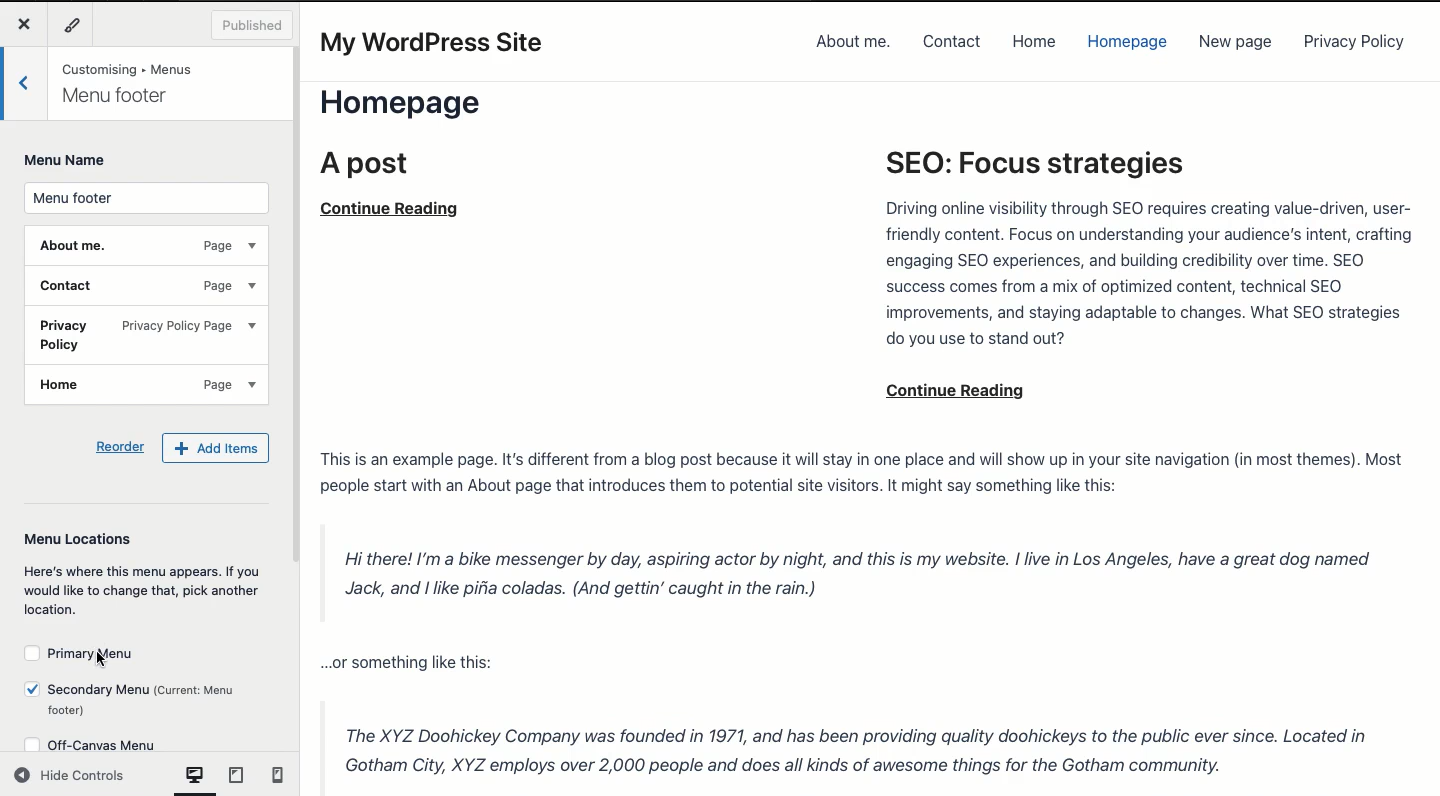  Describe the element at coordinates (436, 44) in the screenshot. I see `My WordPress Site` at that location.